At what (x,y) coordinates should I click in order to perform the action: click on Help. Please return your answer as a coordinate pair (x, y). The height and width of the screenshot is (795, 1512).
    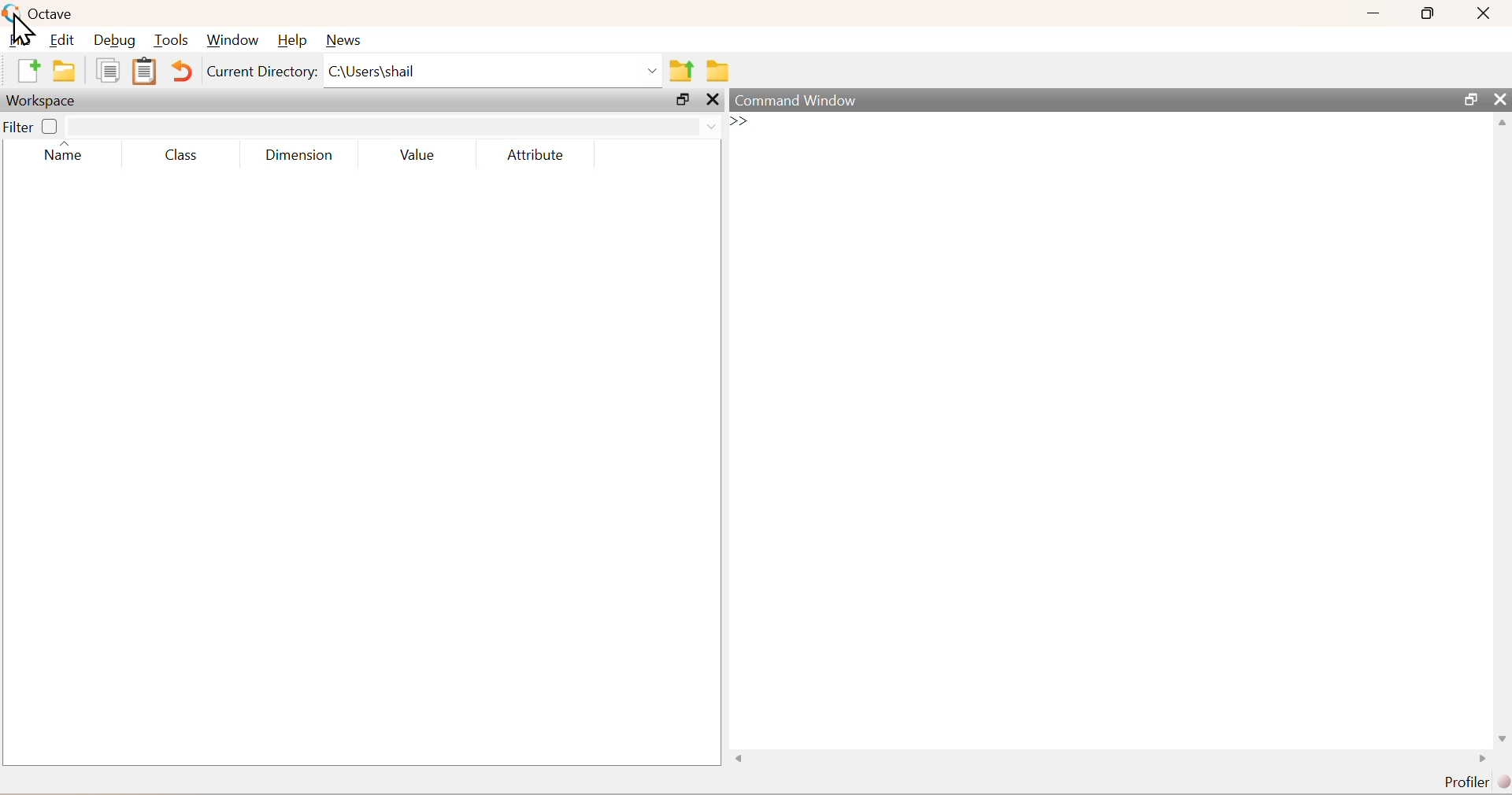
    Looking at the image, I should click on (292, 39).